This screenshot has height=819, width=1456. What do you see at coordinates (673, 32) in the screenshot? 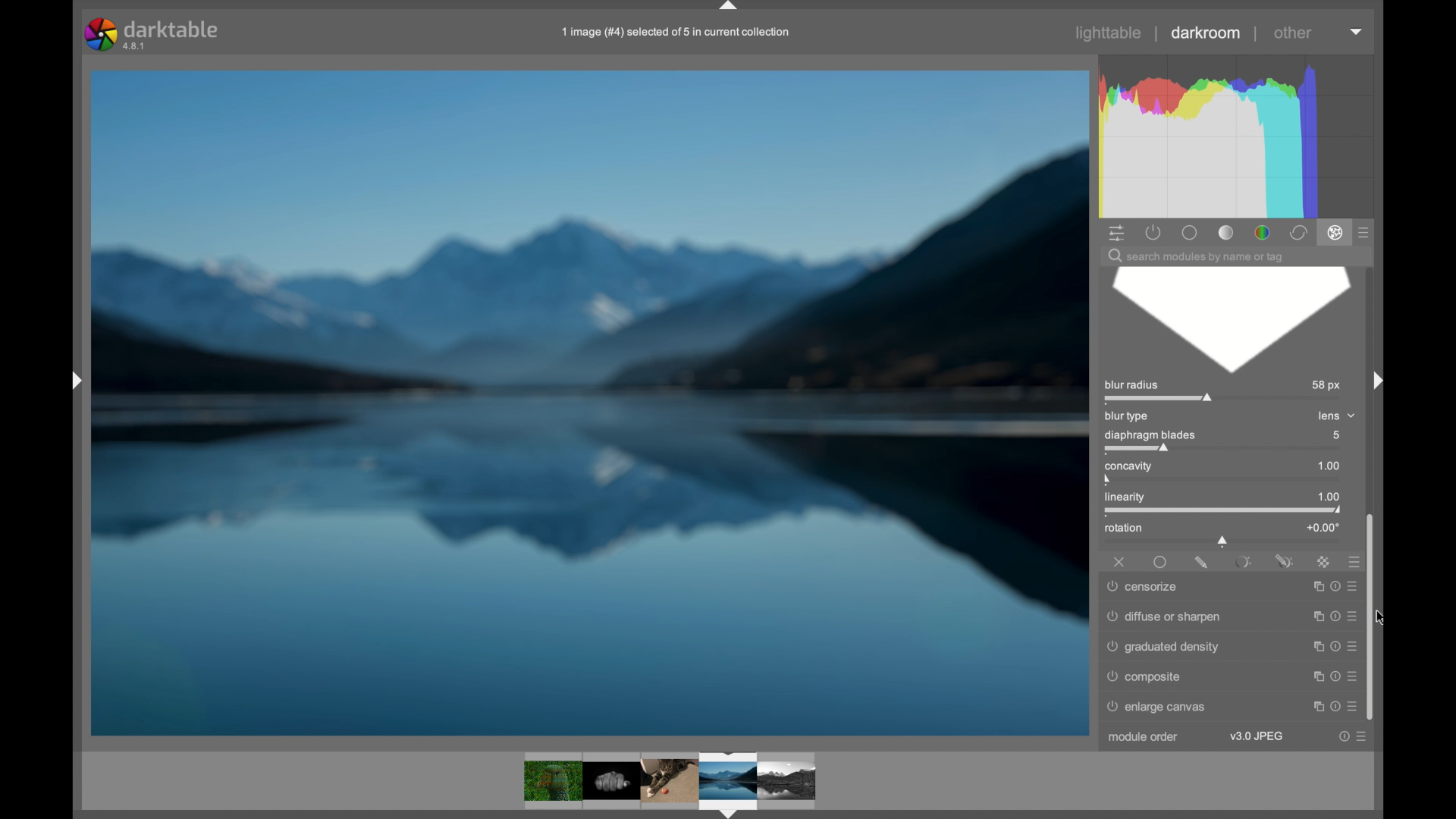
I see `1 image (#4) selected of § in current collection` at bounding box center [673, 32].